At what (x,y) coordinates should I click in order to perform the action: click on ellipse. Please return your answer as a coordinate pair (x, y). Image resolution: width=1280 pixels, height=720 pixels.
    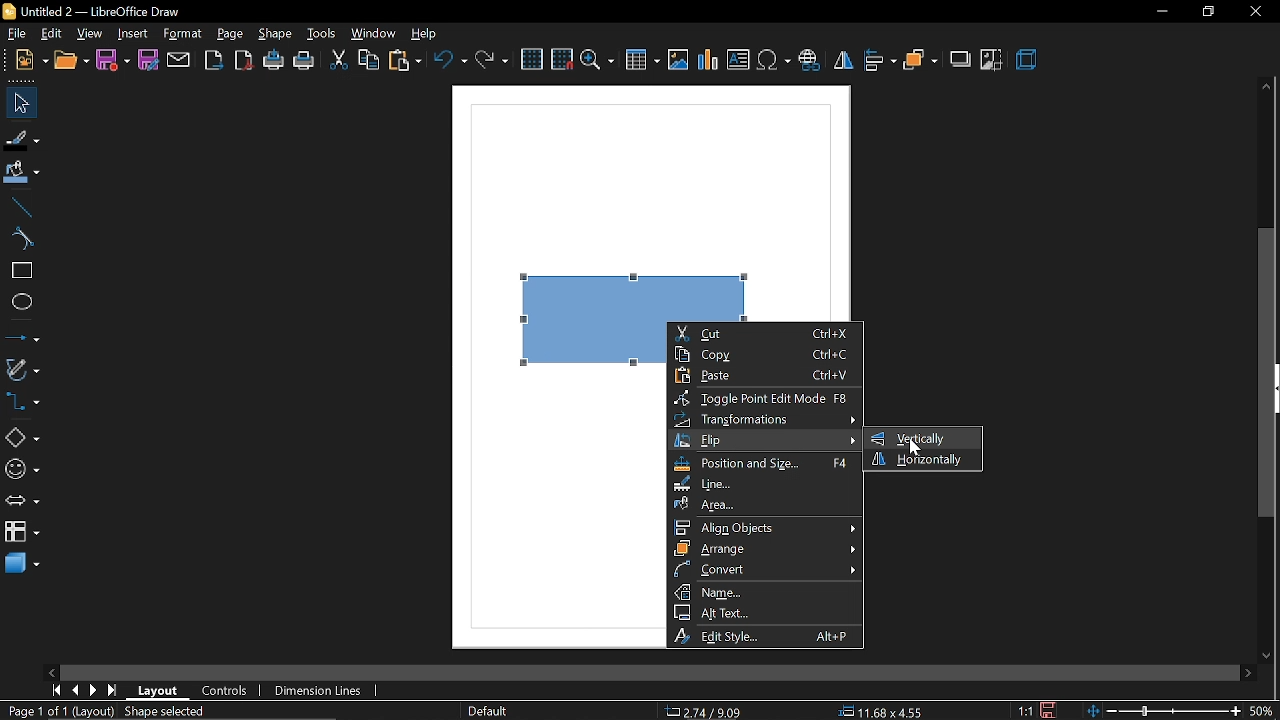
    Looking at the image, I should click on (21, 304).